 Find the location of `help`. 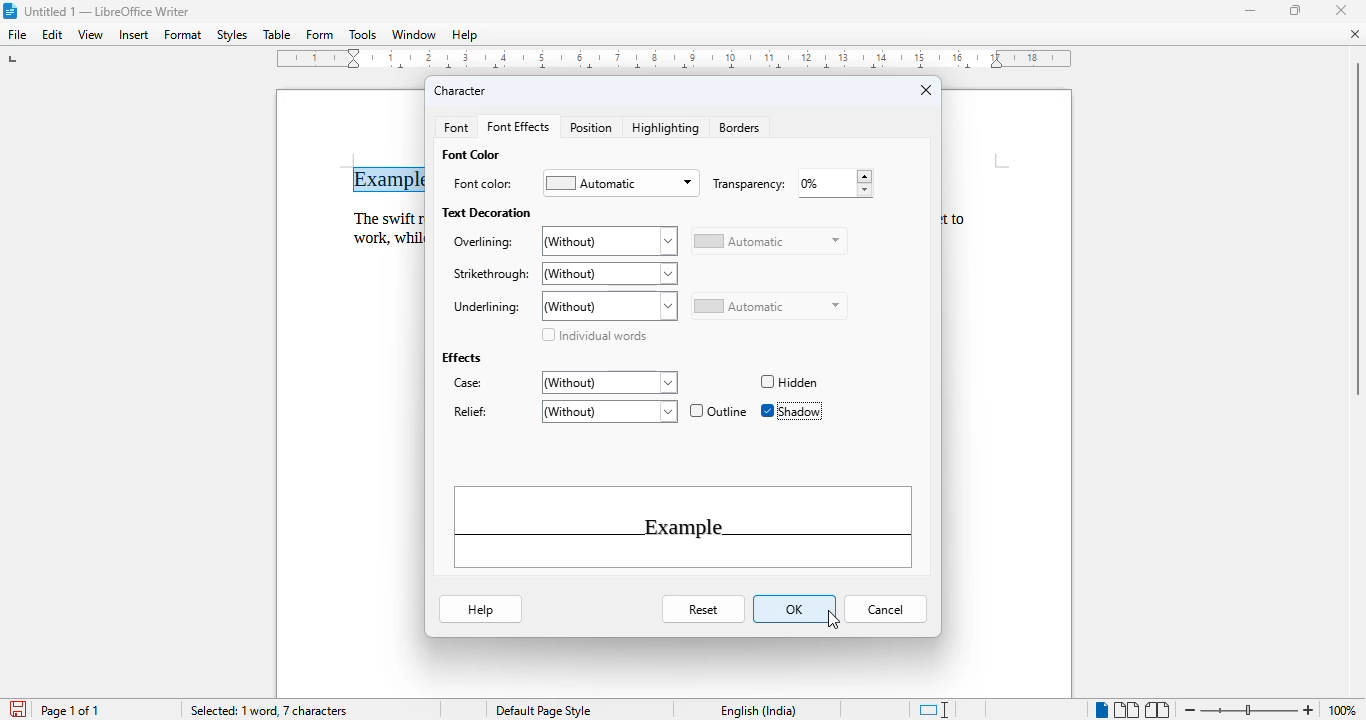

help is located at coordinates (465, 35).